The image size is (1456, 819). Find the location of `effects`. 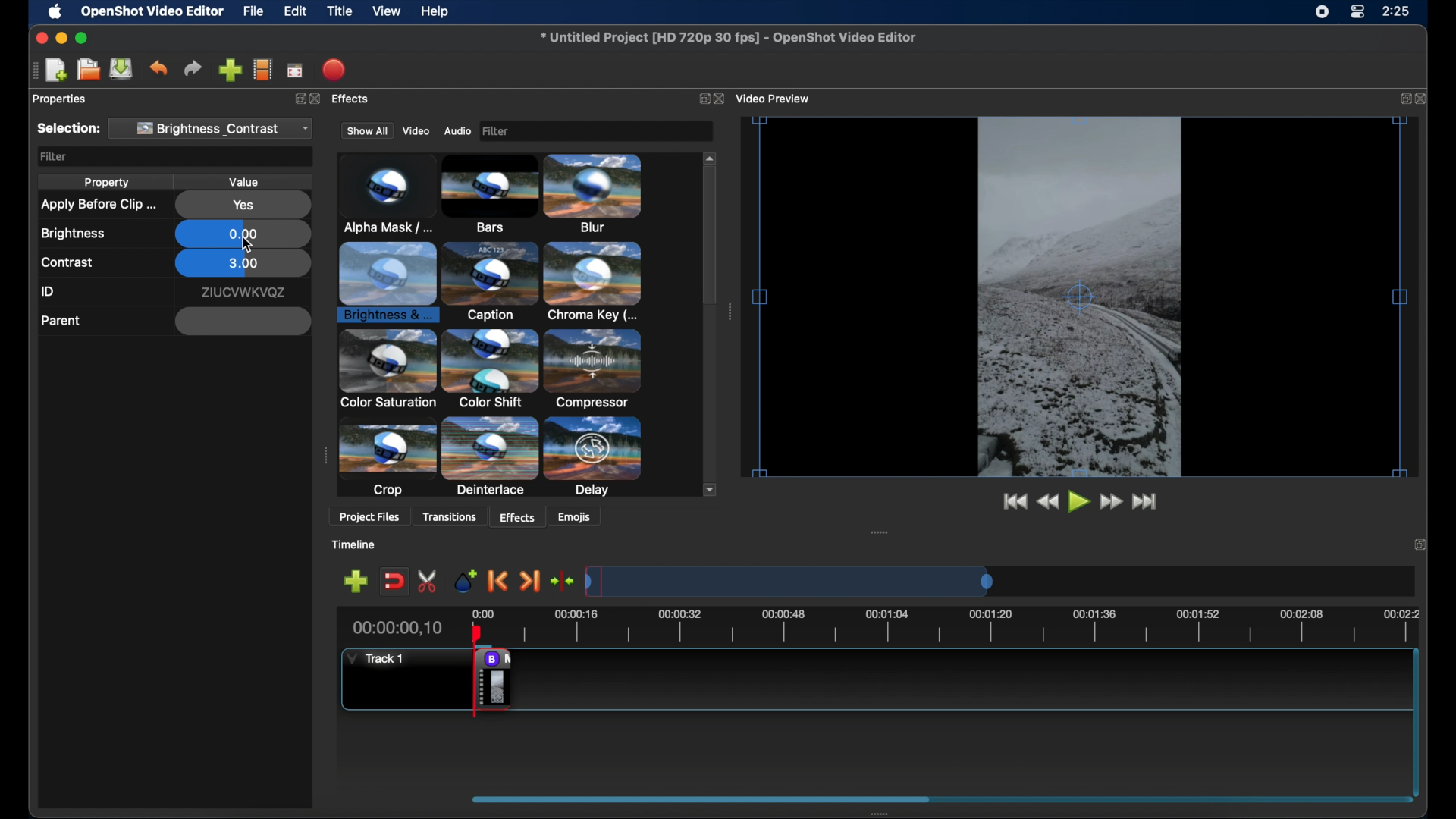

effects is located at coordinates (515, 516).